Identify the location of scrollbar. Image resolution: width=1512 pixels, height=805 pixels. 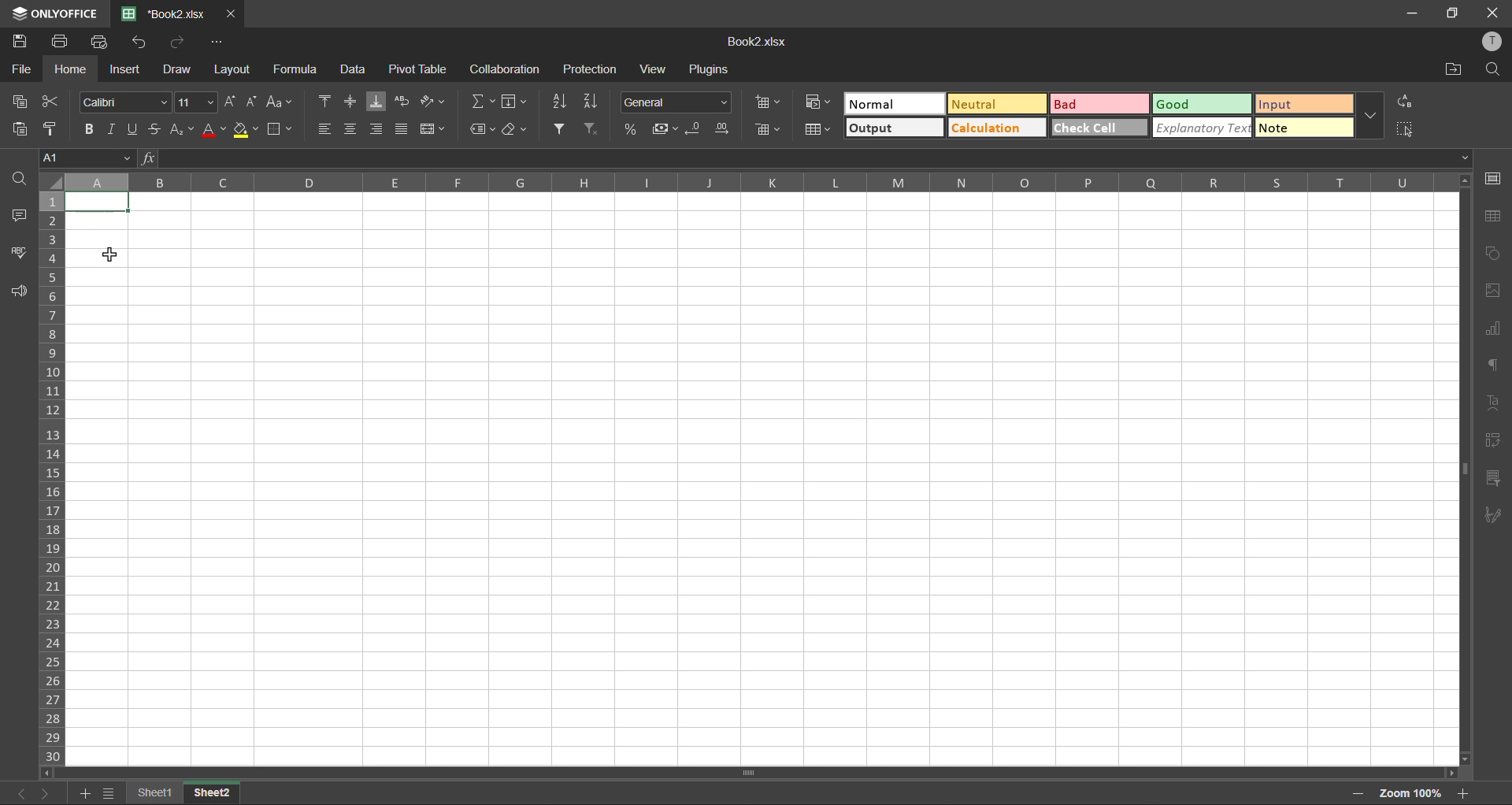
(747, 773).